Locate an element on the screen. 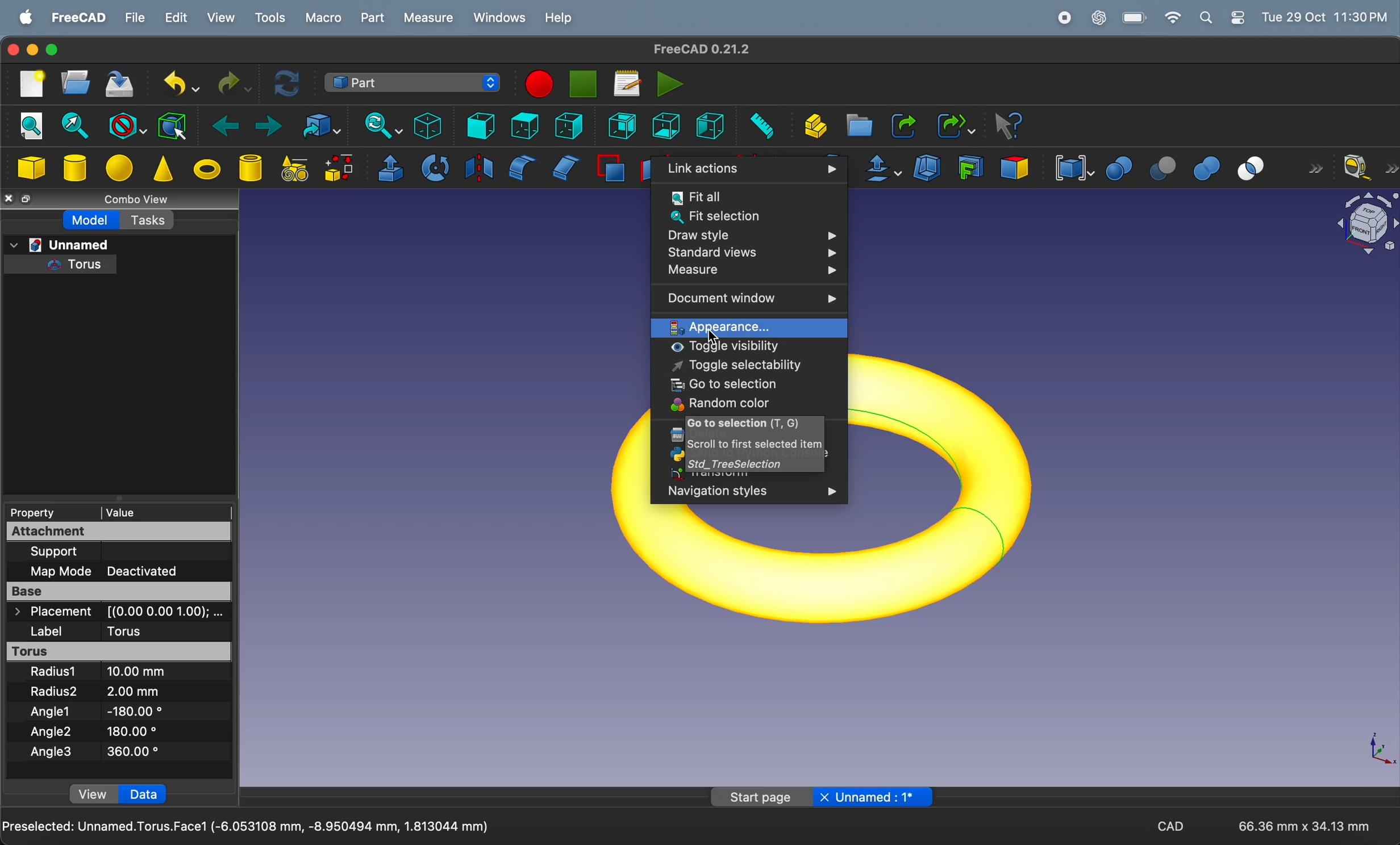 This screenshot has height=845, width=1400. whats this? is located at coordinates (1009, 126).